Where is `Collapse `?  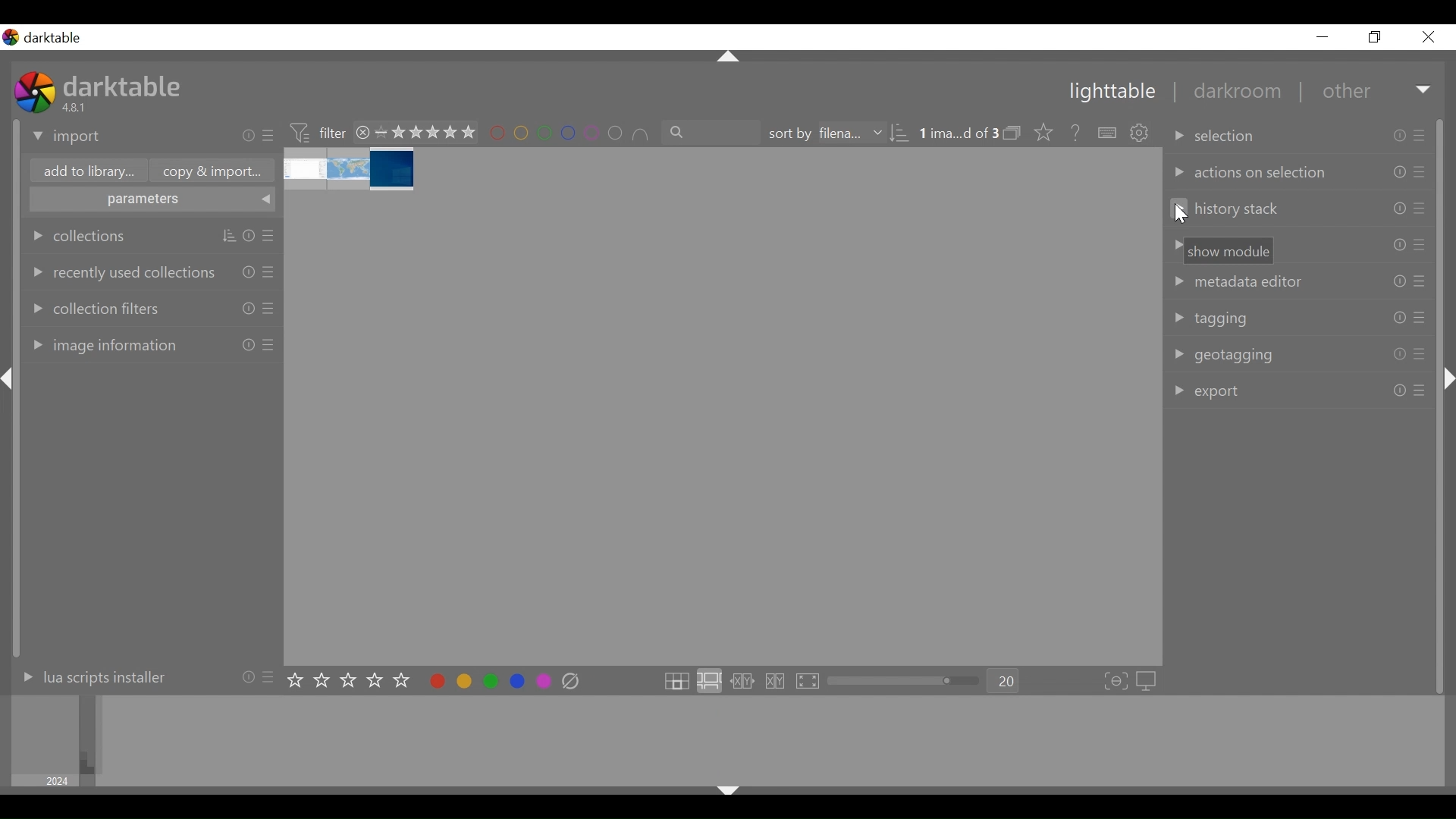
Collapse  is located at coordinates (727, 793).